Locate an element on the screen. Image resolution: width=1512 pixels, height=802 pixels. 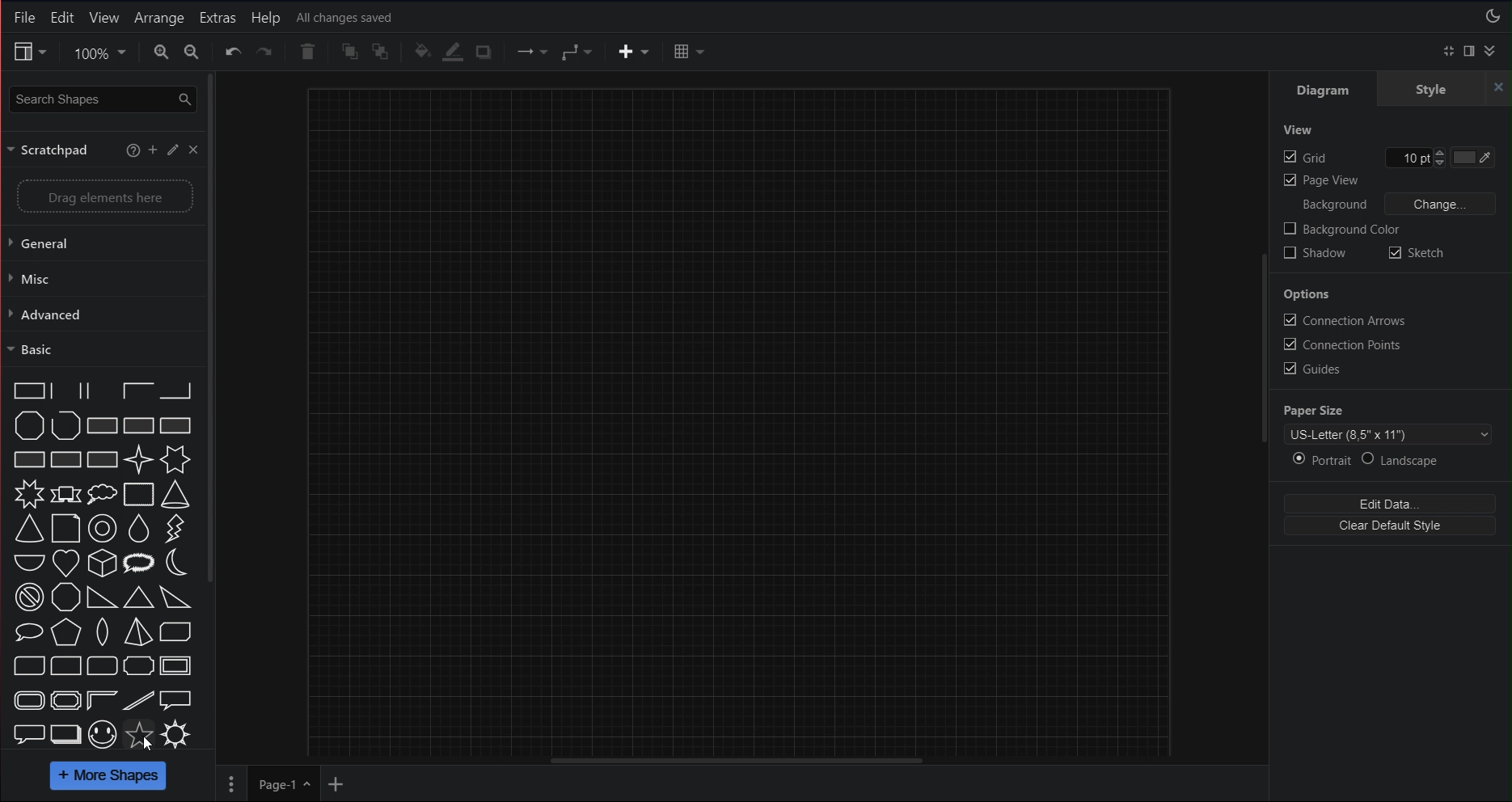
More Shapes is located at coordinates (109, 777).